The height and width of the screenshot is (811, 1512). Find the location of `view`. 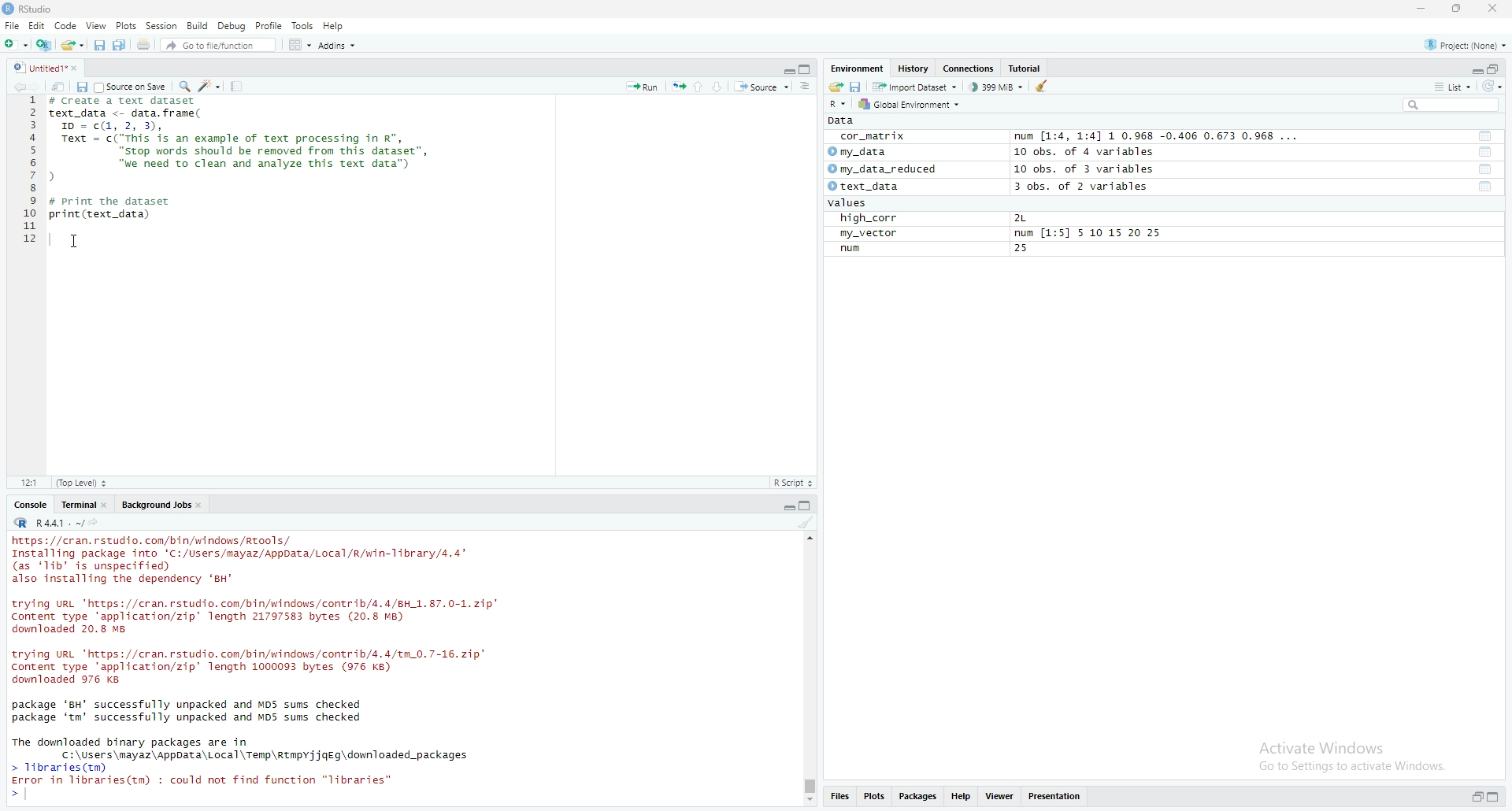

view is located at coordinates (97, 26).